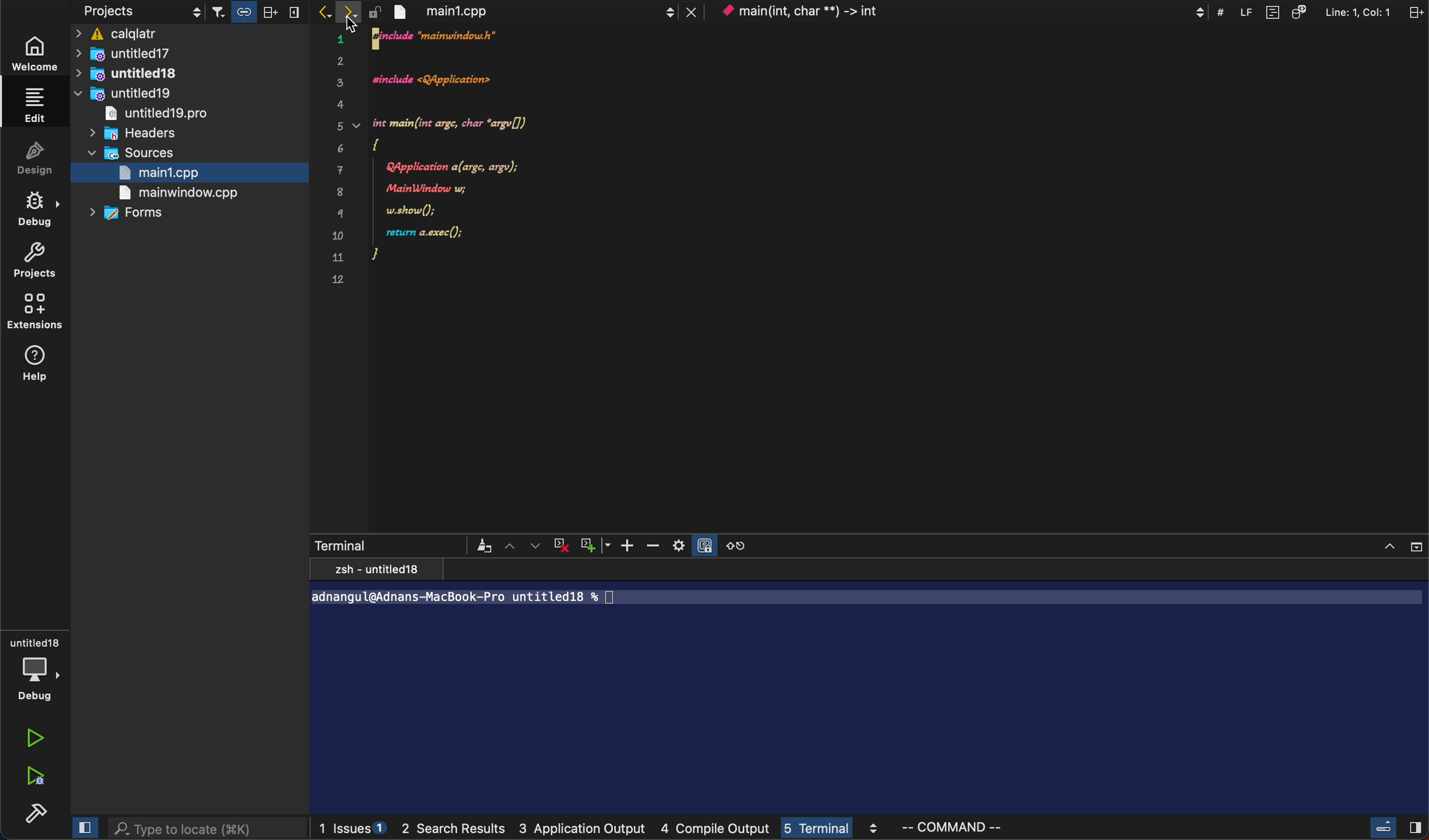  What do you see at coordinates (704, 544) in the screenshot?
I see `Lock` at bounding box center [704, 544].